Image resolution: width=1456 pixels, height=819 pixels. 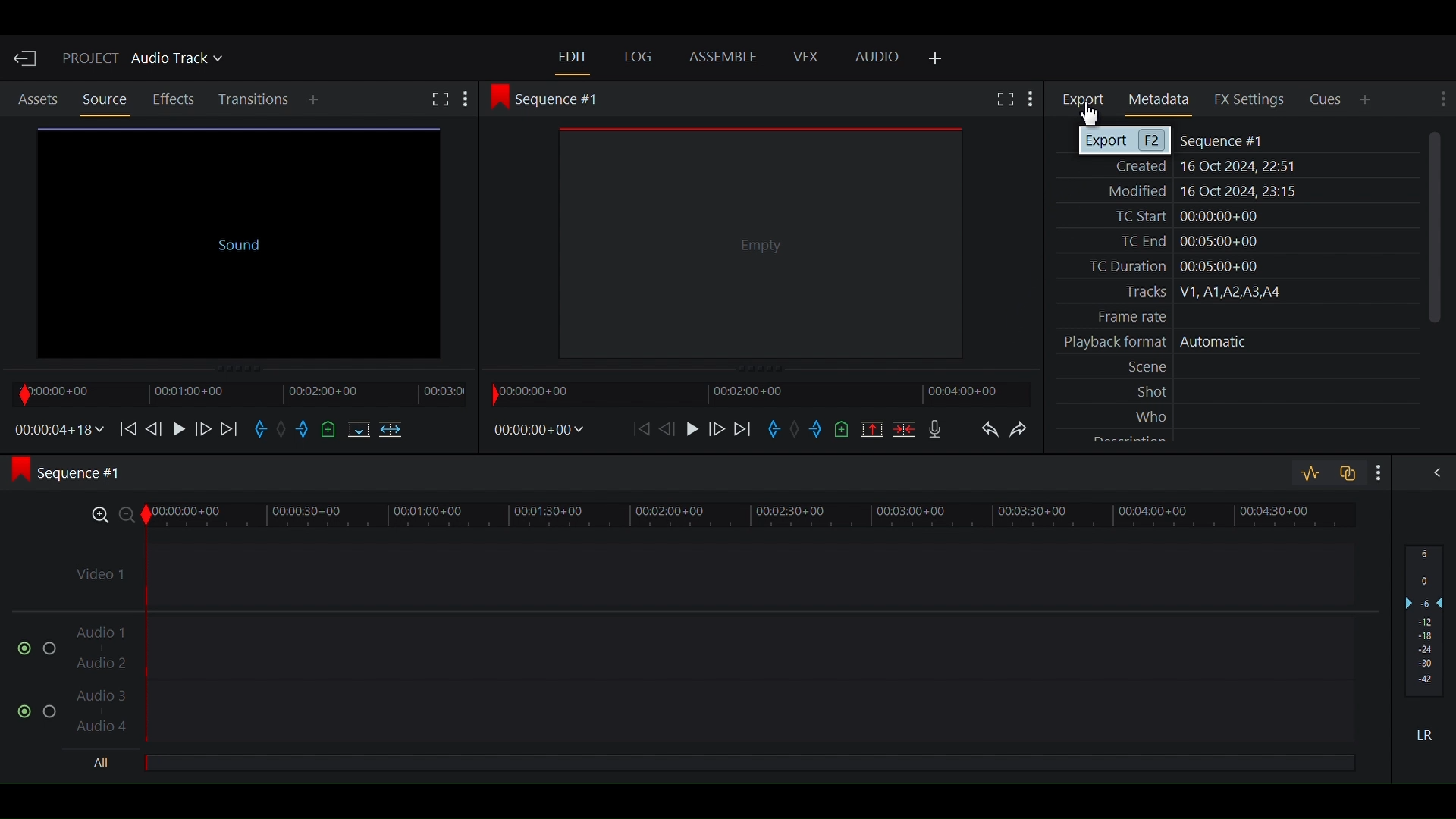 I want to click on Nudge one frame back, so click(x=671, y=428).